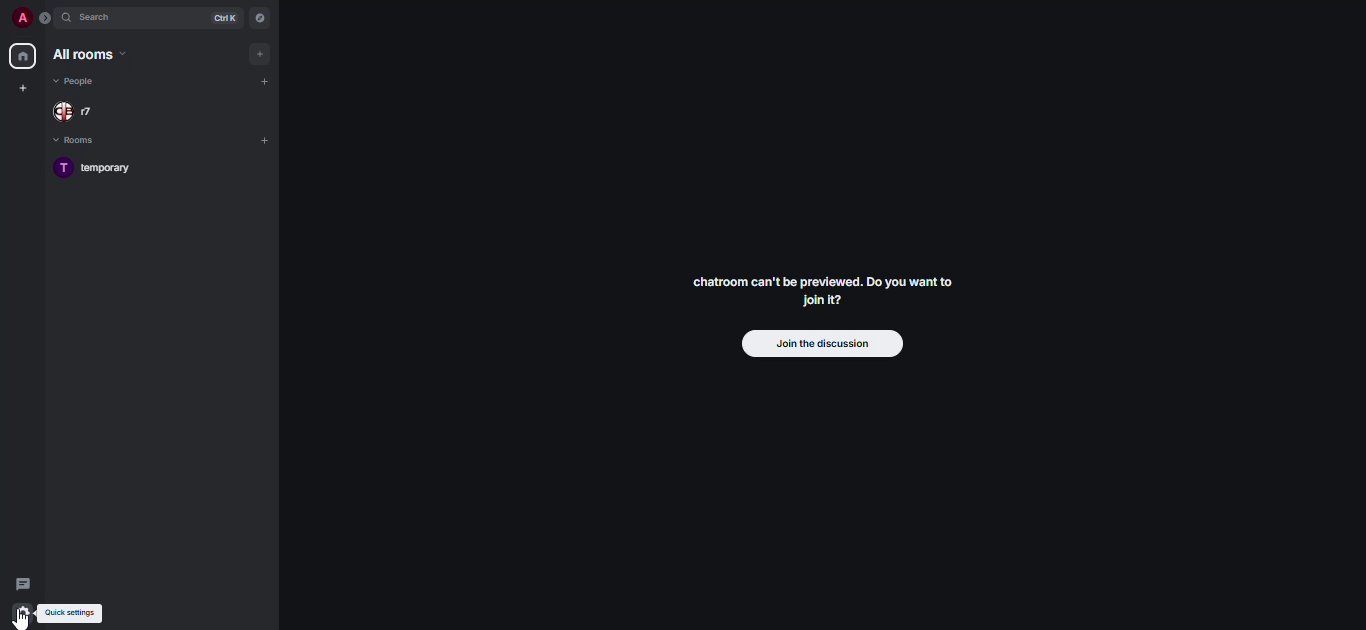 This screenshot has height=630, width=1366. I want to click on room, so click(104, 166).